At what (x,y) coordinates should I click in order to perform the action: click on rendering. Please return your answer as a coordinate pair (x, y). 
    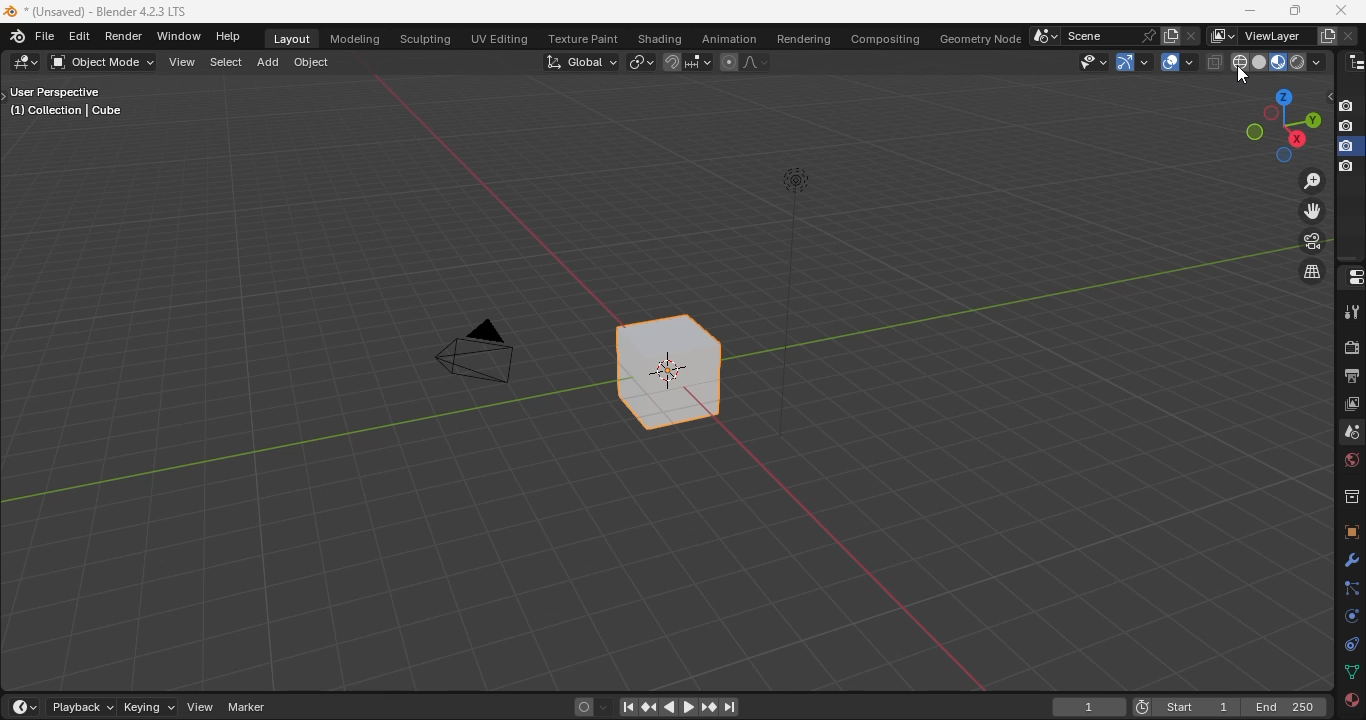
    Looking at the image, I should click on (806, 41).